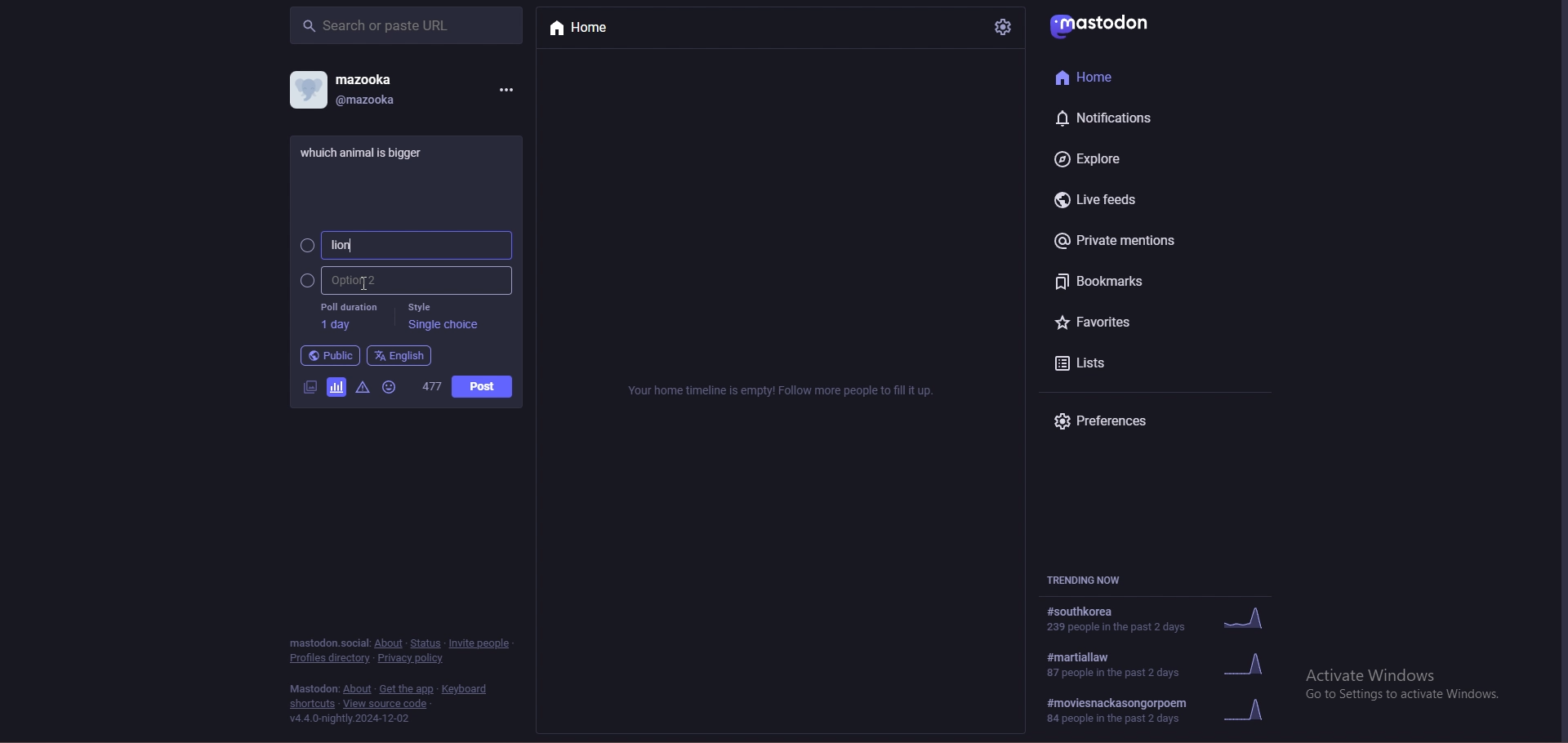 The width and height of the screenshot is (1568, 743). What do you see at coordinates (357, 689) in the screenshot?
I see `about` at bounding box center [357, 689].